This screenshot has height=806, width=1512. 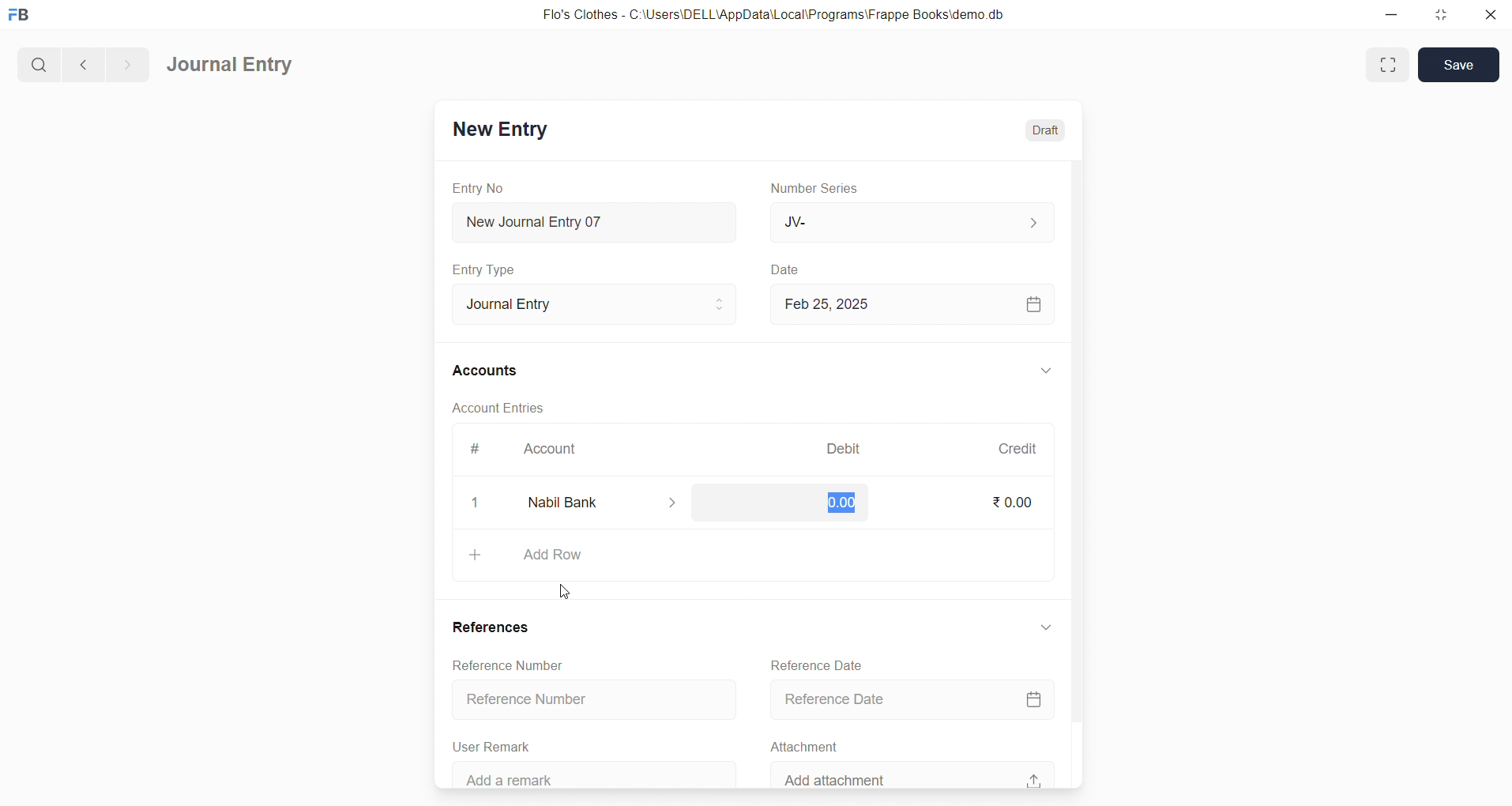 What do you see at coordinates (912, 774) in the screenshot?
I see `Add attachment` at bounding box center [912, 774].